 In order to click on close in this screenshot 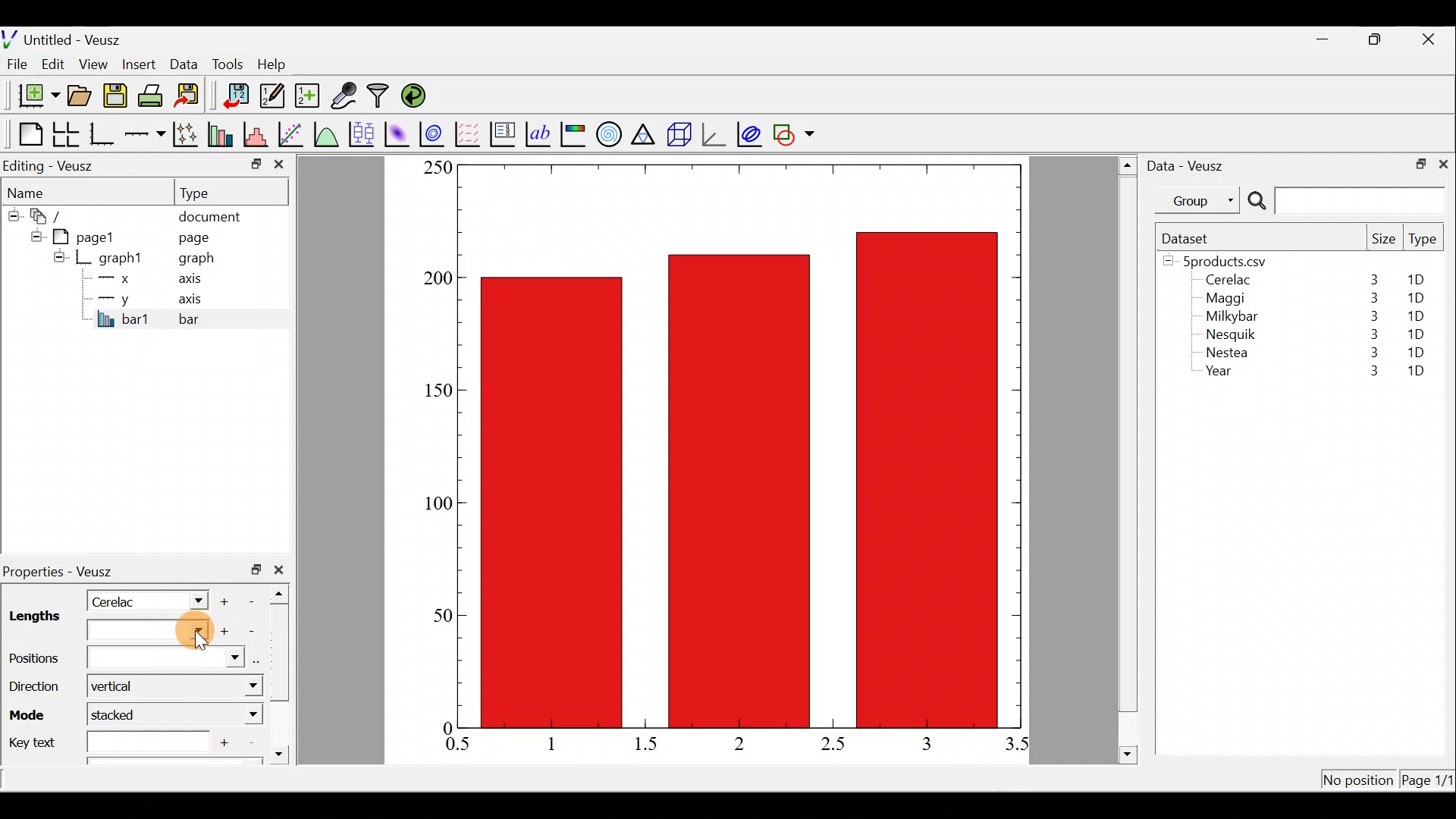, I will do `click(1430, 39)`.